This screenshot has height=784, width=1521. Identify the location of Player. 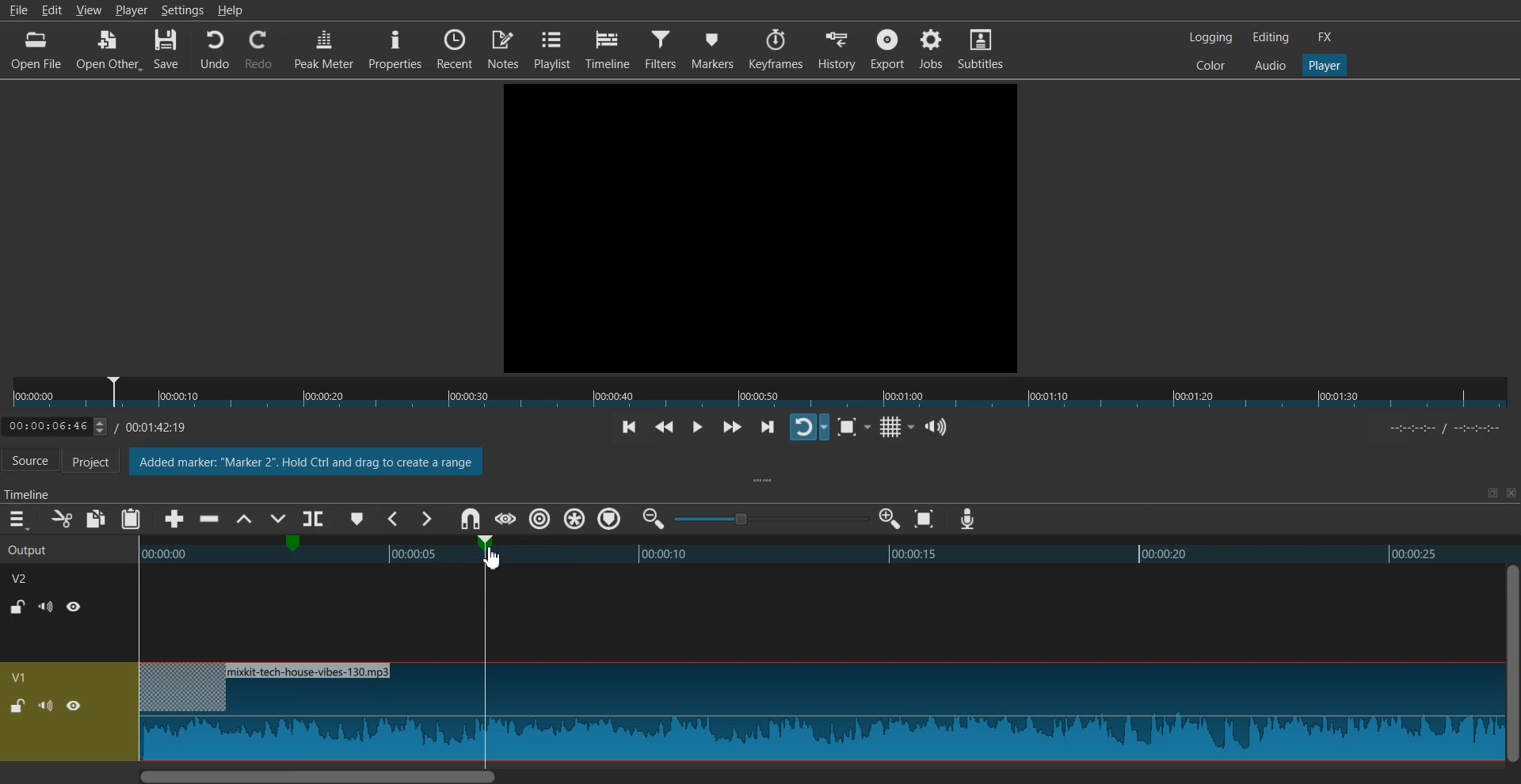
(1325, 66).